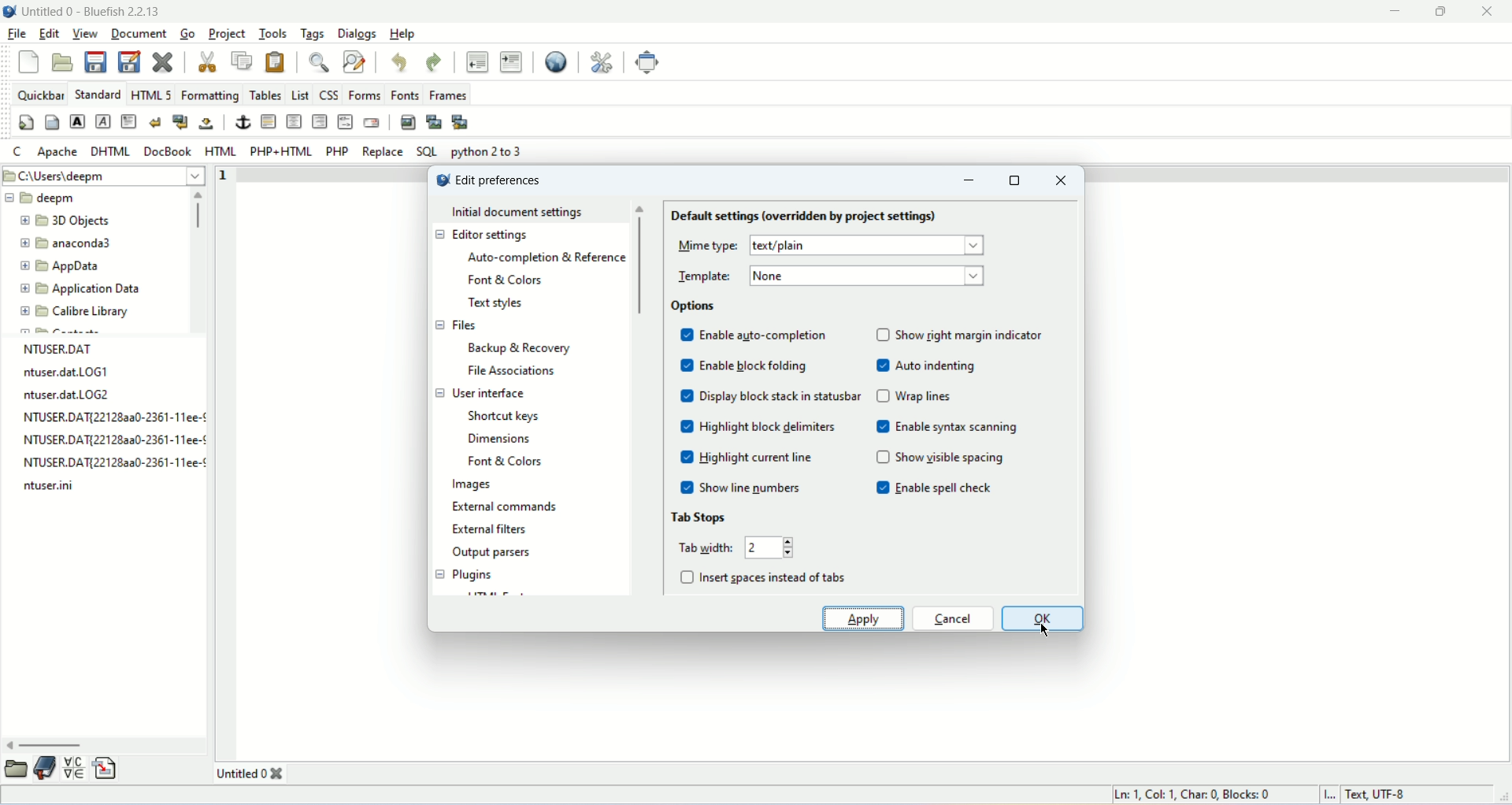  Describe the element at coordinates (353, 61) in the screenshot. I see `advanced find and replace` at that location.